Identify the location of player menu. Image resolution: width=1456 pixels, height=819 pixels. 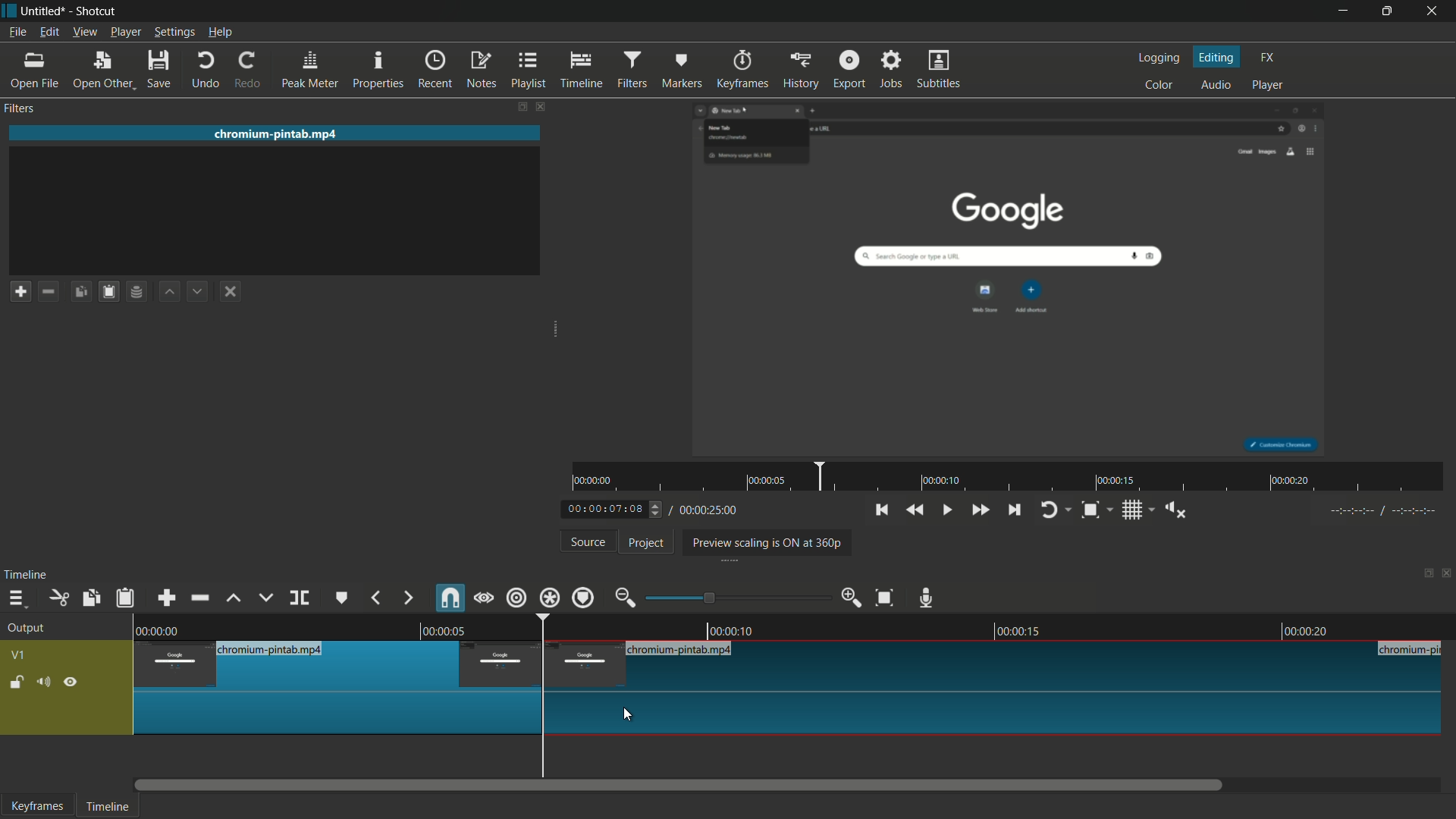
(127, 31).